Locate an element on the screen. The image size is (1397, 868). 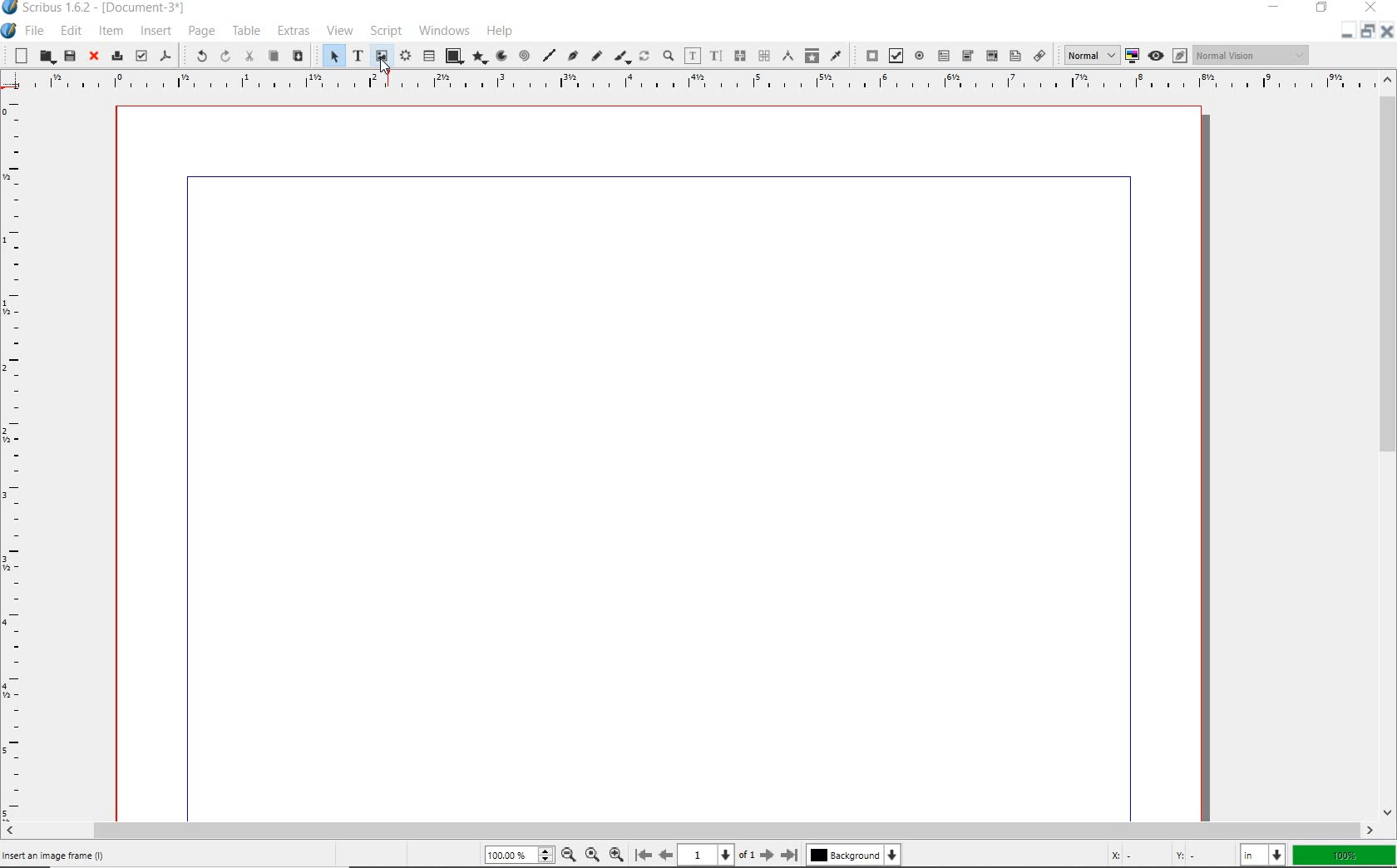
Scribus 1.6.2 is located at coordinates (97, 8).